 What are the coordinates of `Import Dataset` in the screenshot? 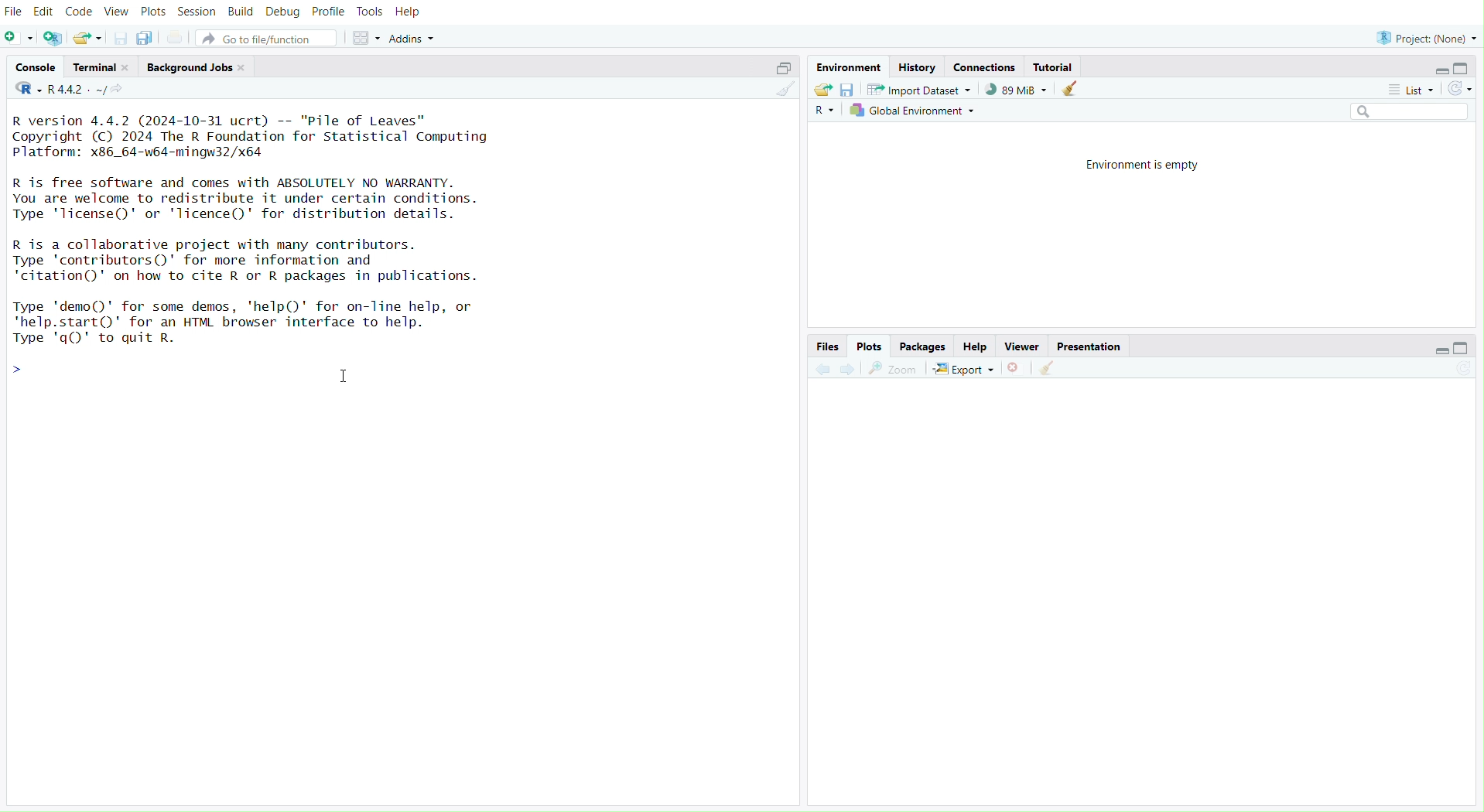 It's located at (922, 90).